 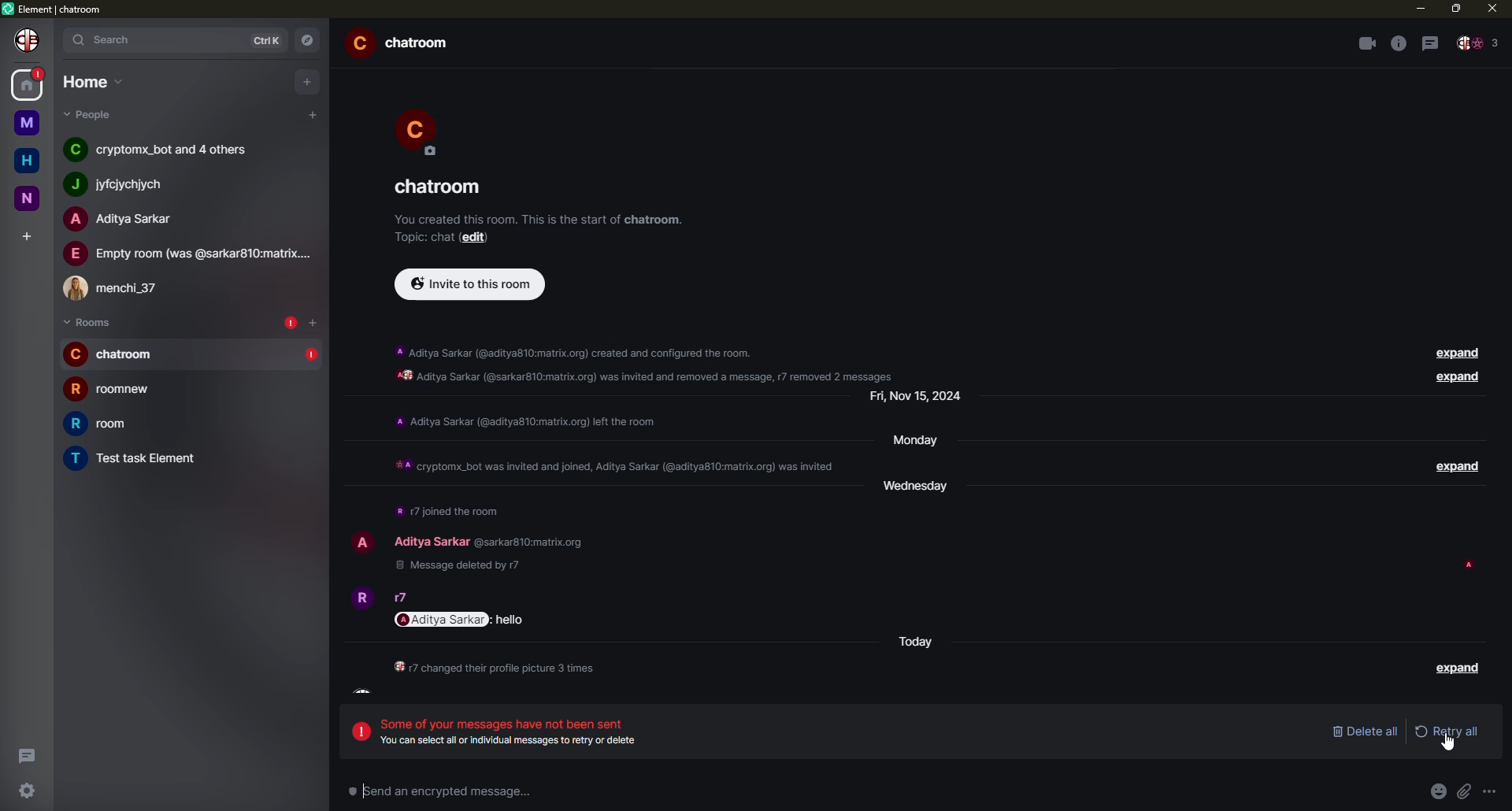 I want to click on settings, so click(x=24, y=792).